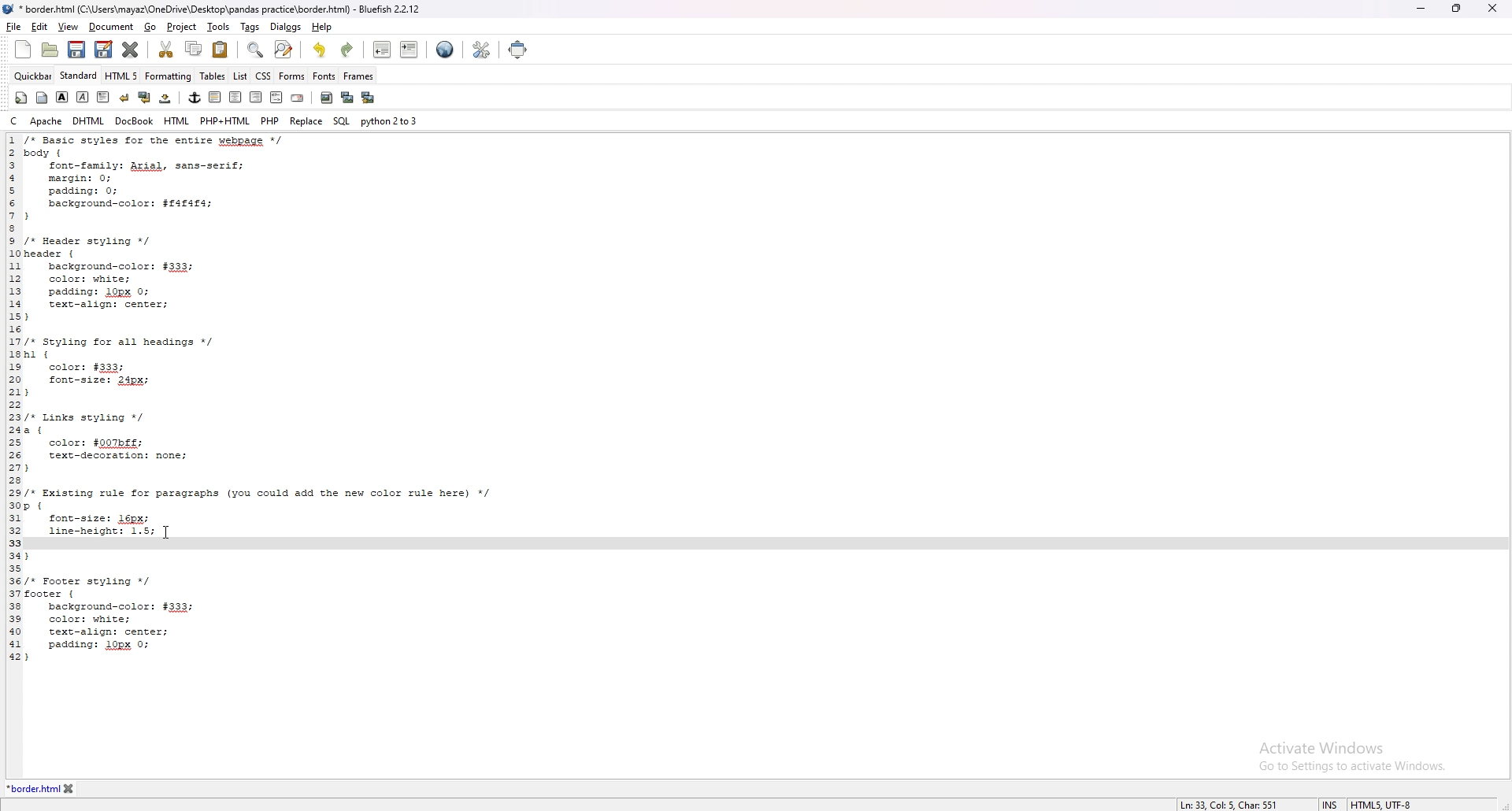 Image resolution: width=1512 pixels, height=811 pixels. I want to click on bold, so click(63, 97).